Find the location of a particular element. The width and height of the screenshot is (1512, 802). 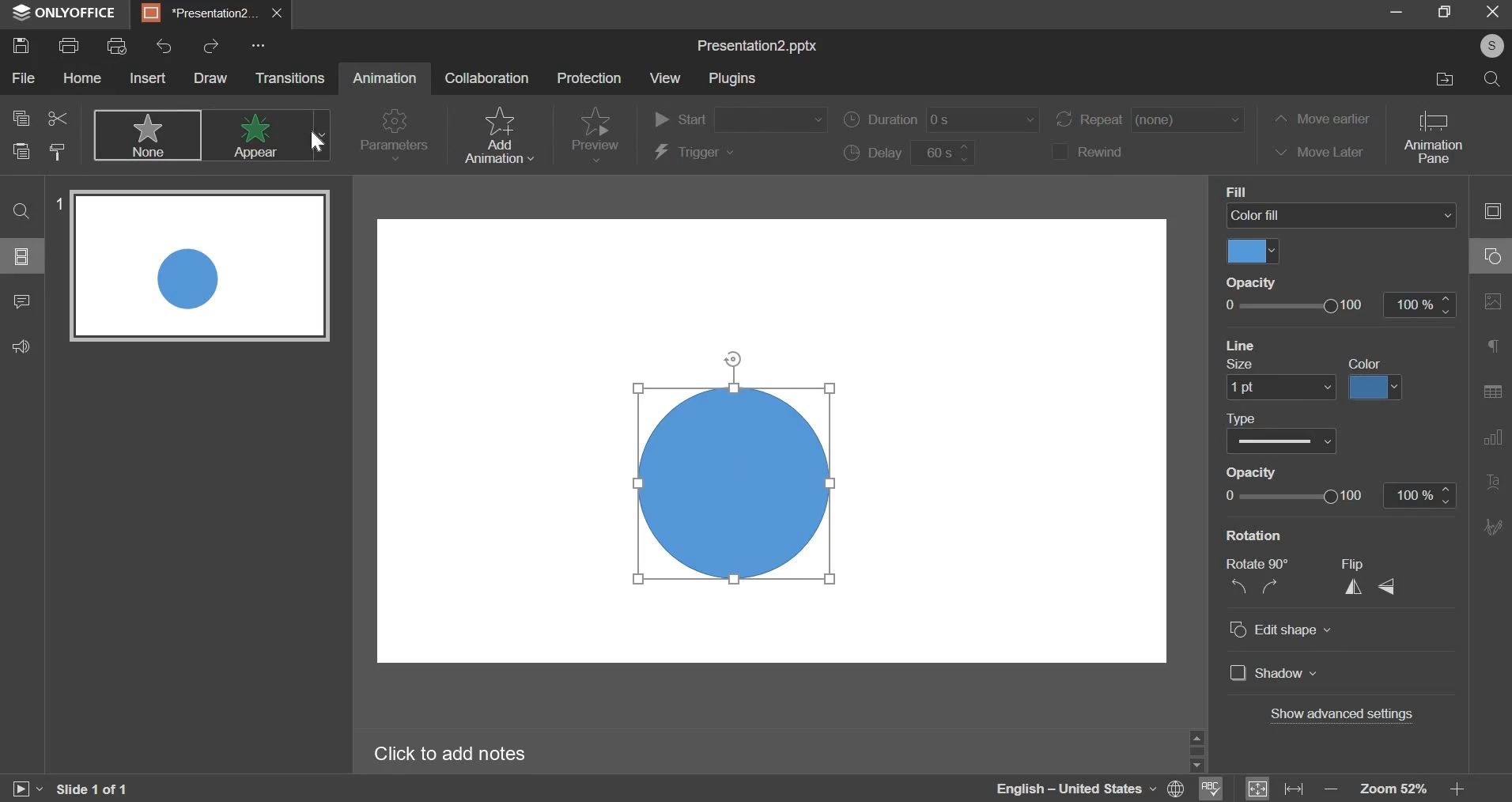

animation is located at coordinates (385, 75).